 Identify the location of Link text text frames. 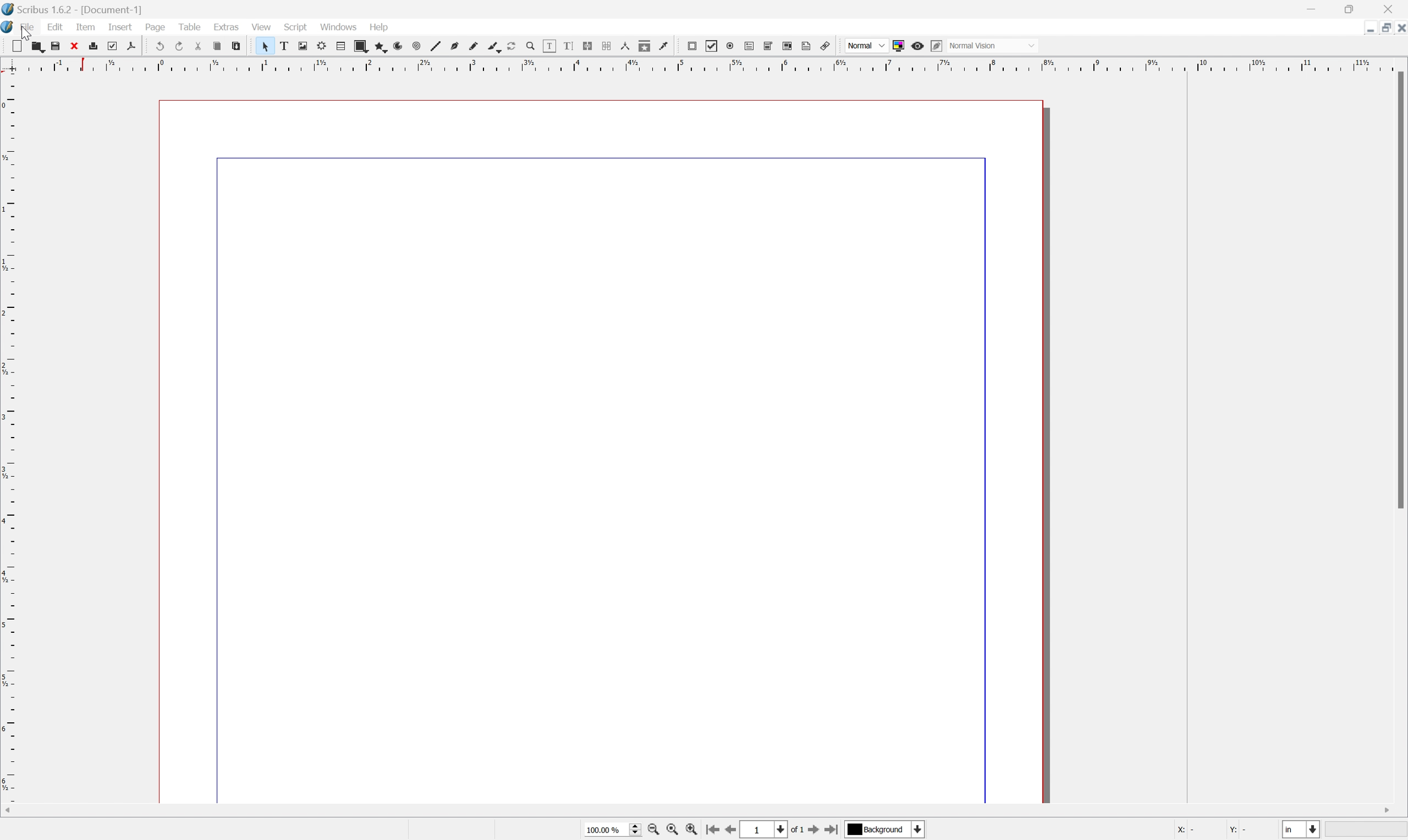
(590, 46).